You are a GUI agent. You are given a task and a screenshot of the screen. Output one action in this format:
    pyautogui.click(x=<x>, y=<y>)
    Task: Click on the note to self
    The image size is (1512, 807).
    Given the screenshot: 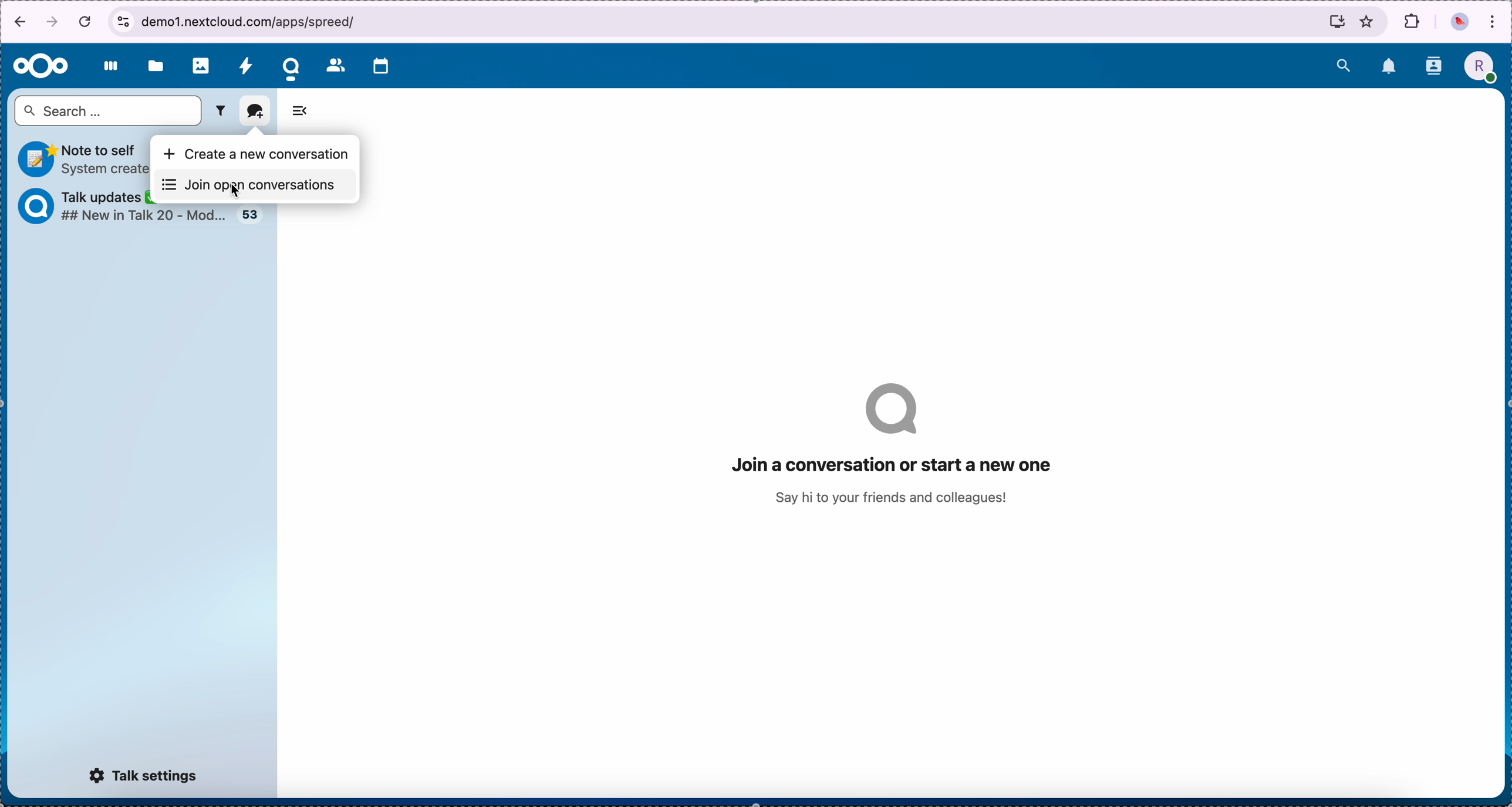 What is the action you would take?
    pyautogui.click(x=77, y=157)
    